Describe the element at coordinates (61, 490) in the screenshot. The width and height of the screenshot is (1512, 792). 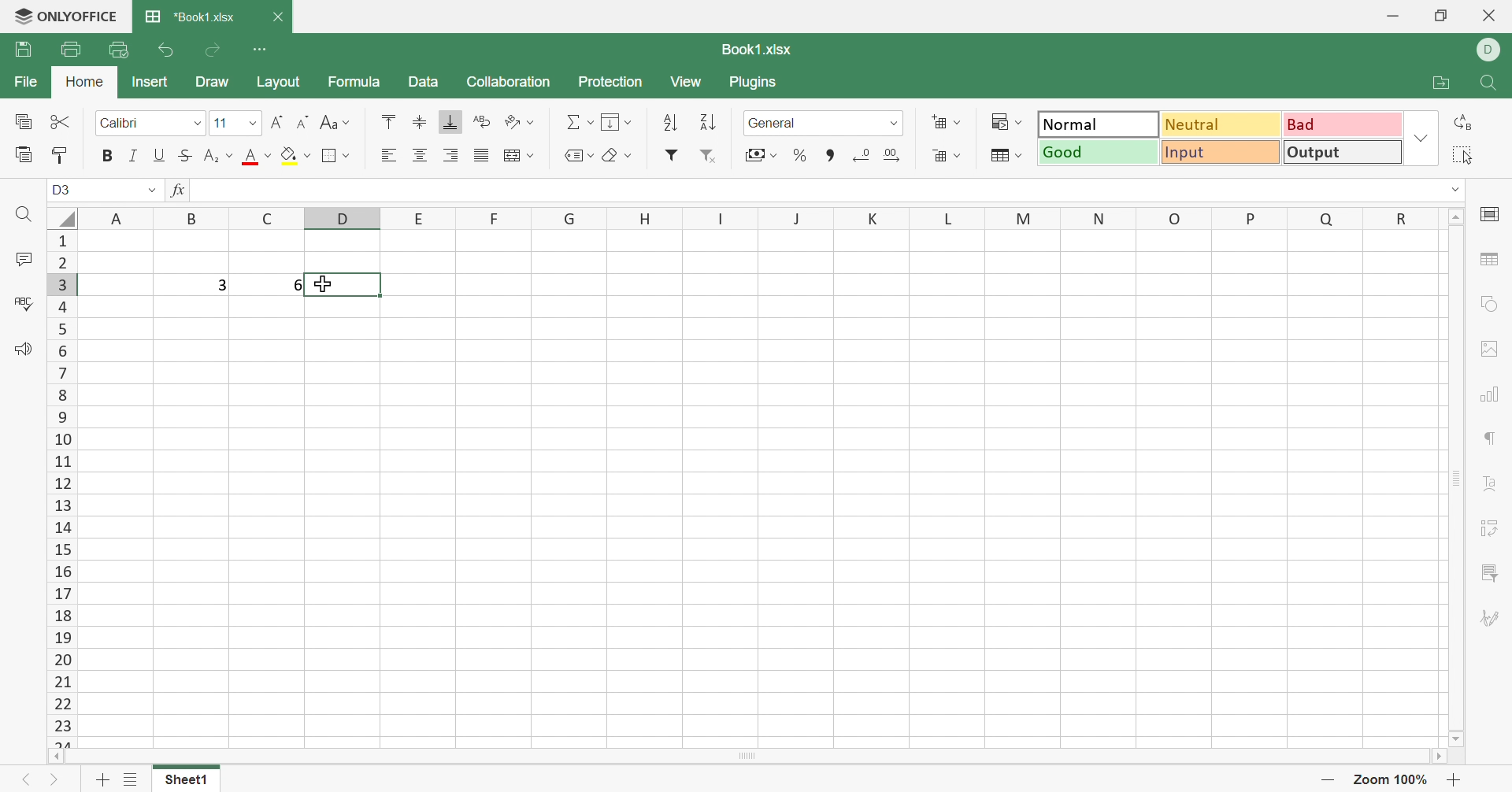
I see `Row numbers` at that location.